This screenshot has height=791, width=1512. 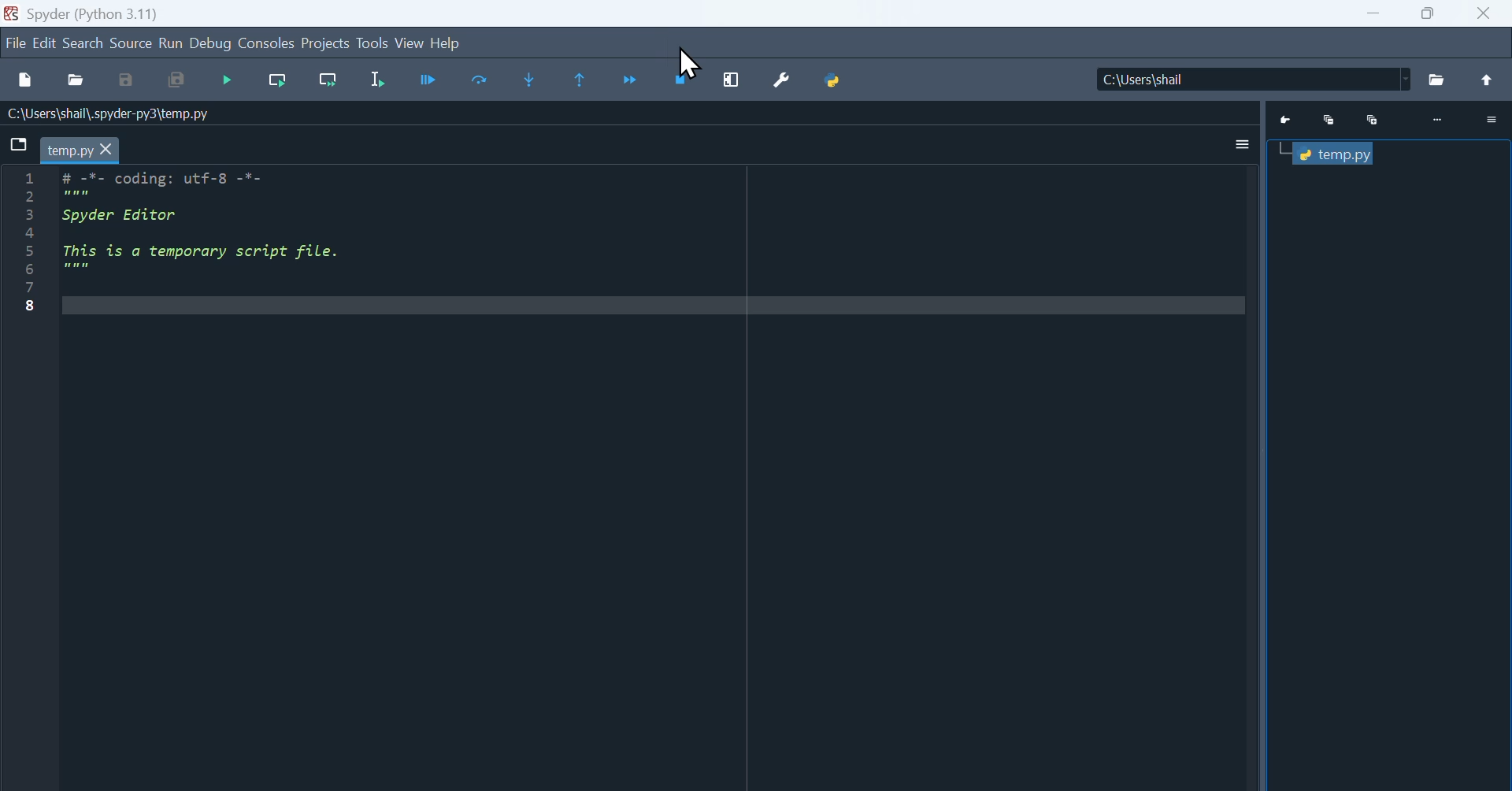 What do you see at coordinates (782, 81) in the screenshot?
I see `Preferences` at bounding box center [782, 81].